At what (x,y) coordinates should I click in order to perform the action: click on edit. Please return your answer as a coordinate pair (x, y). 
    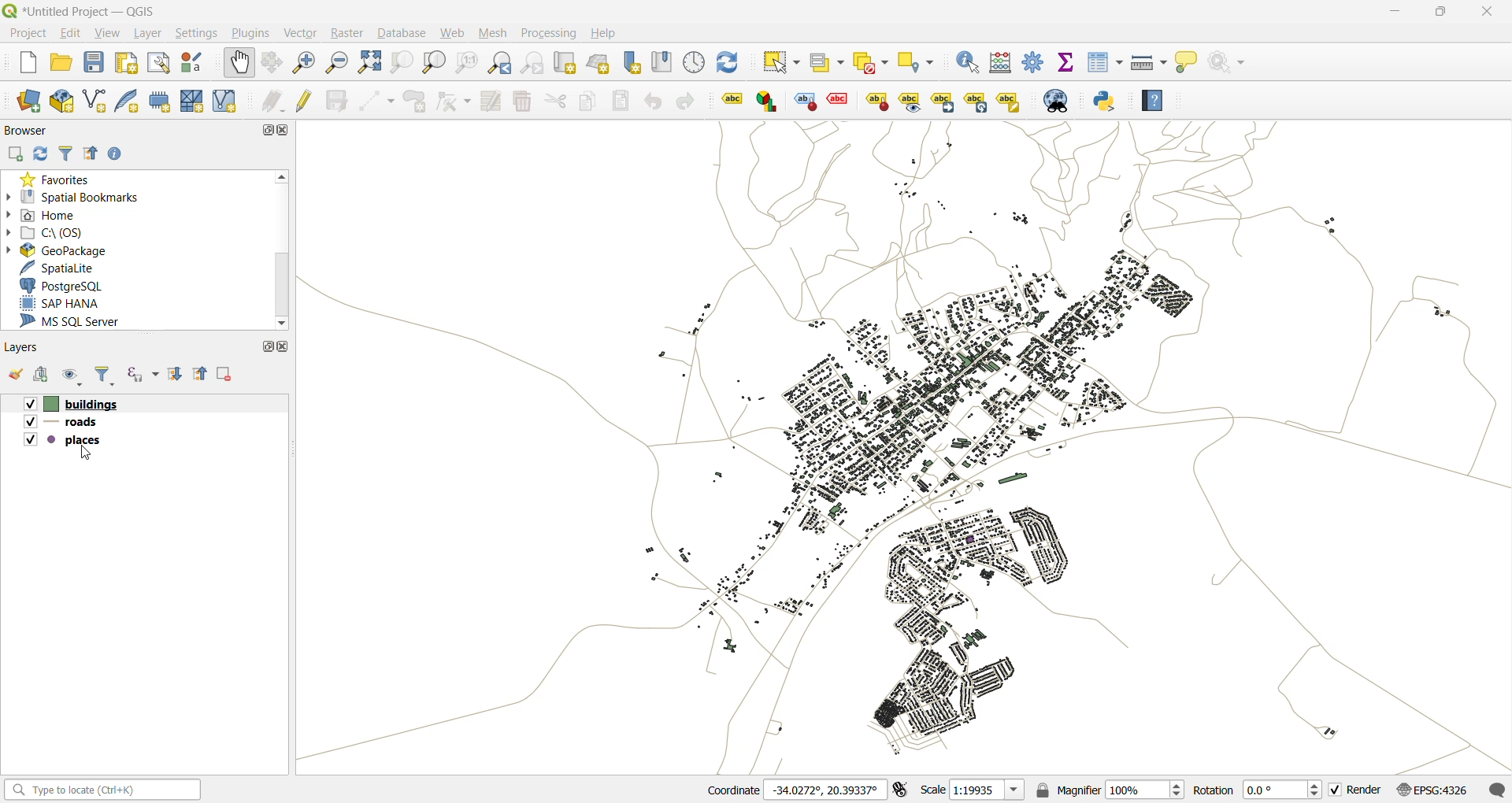
    Looking at the image, I should click on (76, 35).